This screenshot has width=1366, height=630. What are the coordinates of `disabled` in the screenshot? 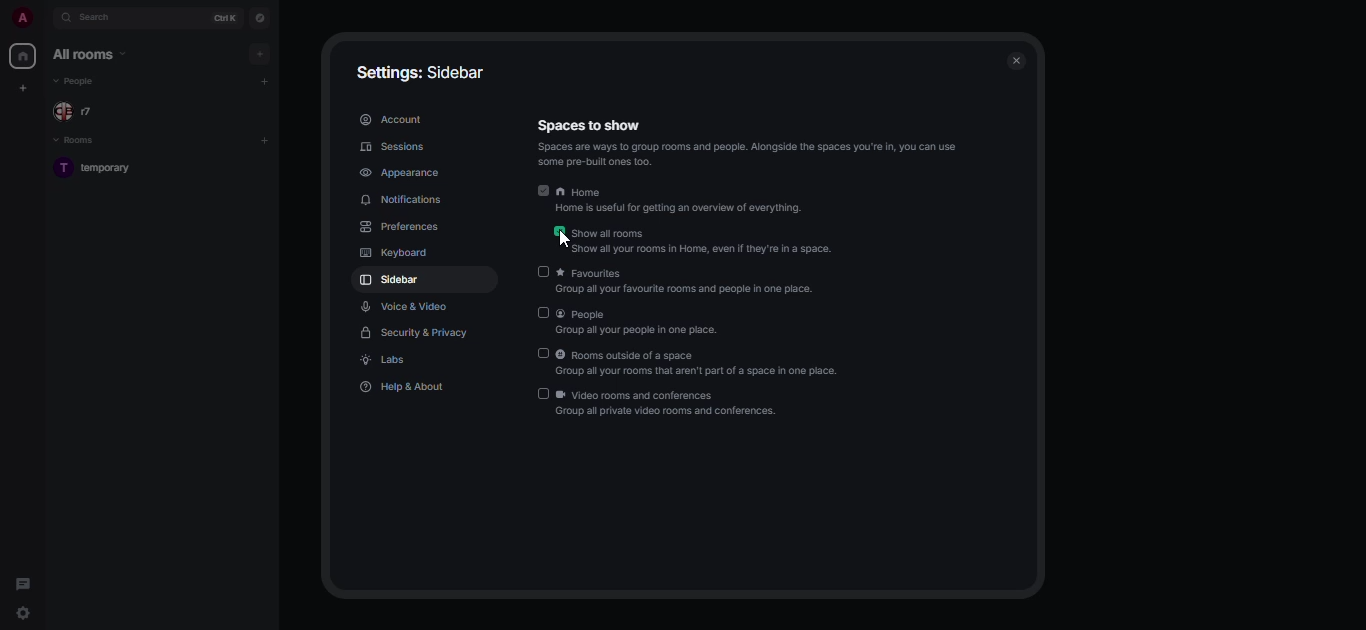 It's located at (543, 353).